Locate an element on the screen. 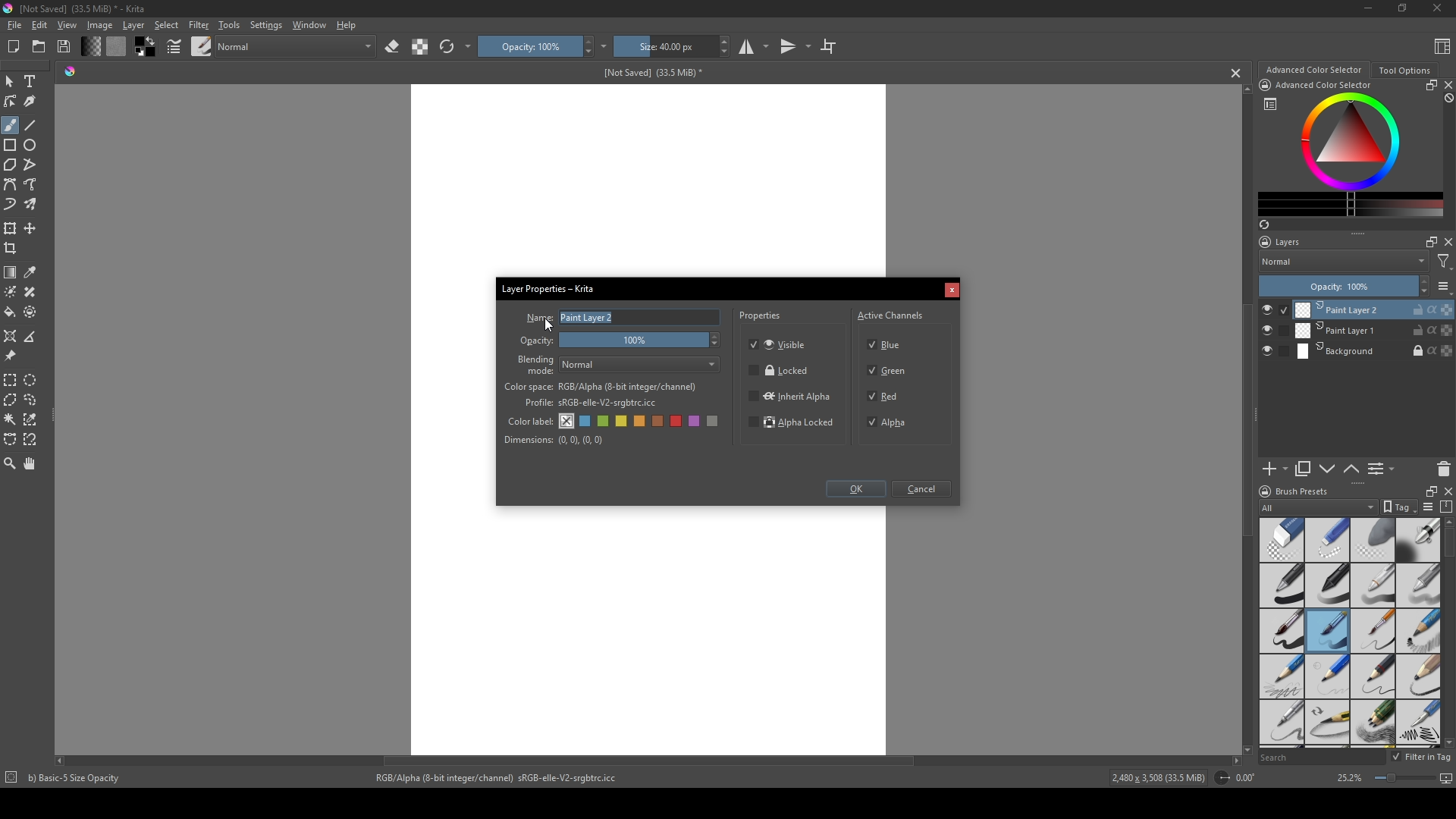  Layer is located at coordinates (133, 25).